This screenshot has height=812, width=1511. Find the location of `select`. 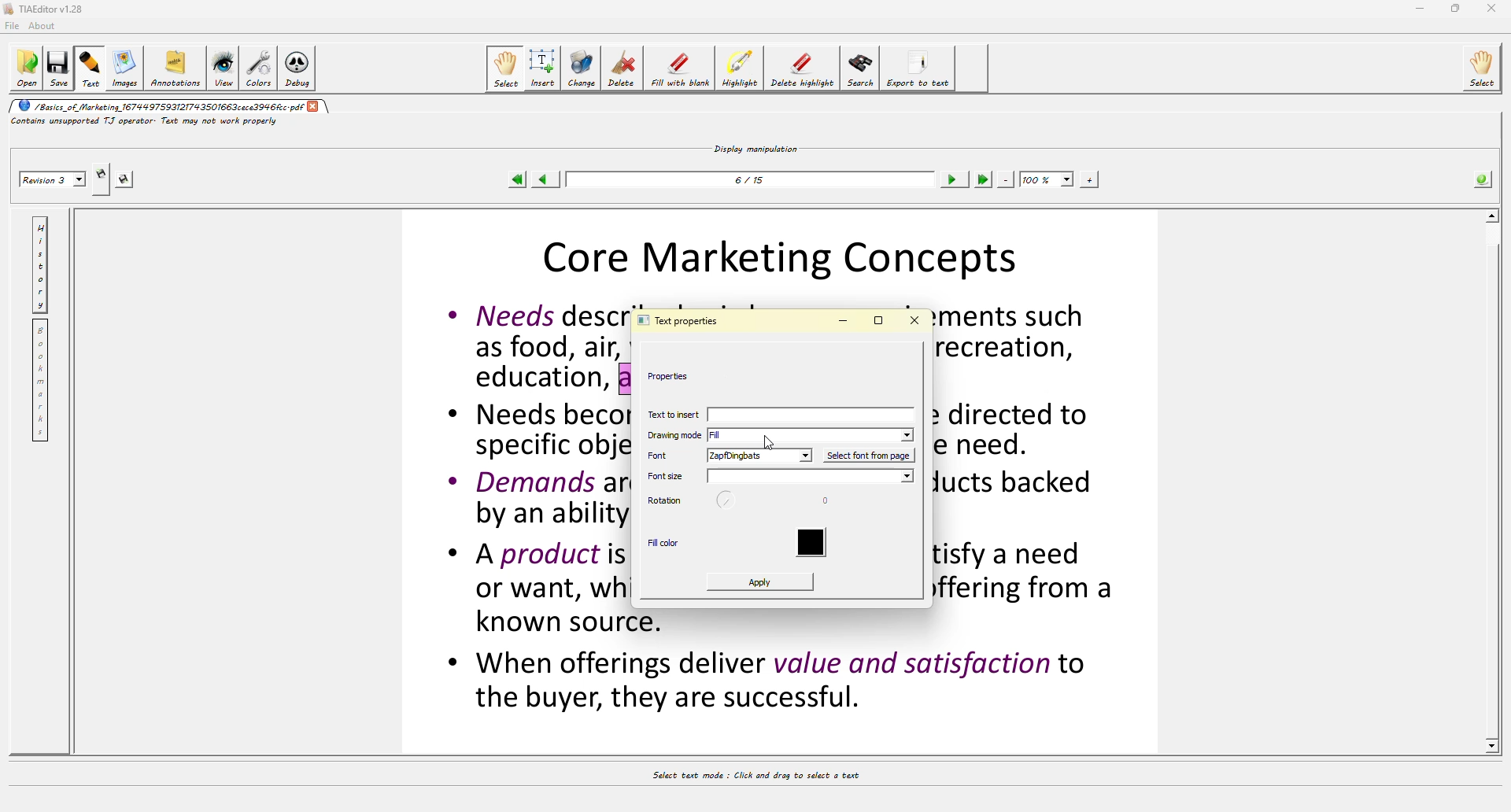

select is located at coordinates (507, 68).